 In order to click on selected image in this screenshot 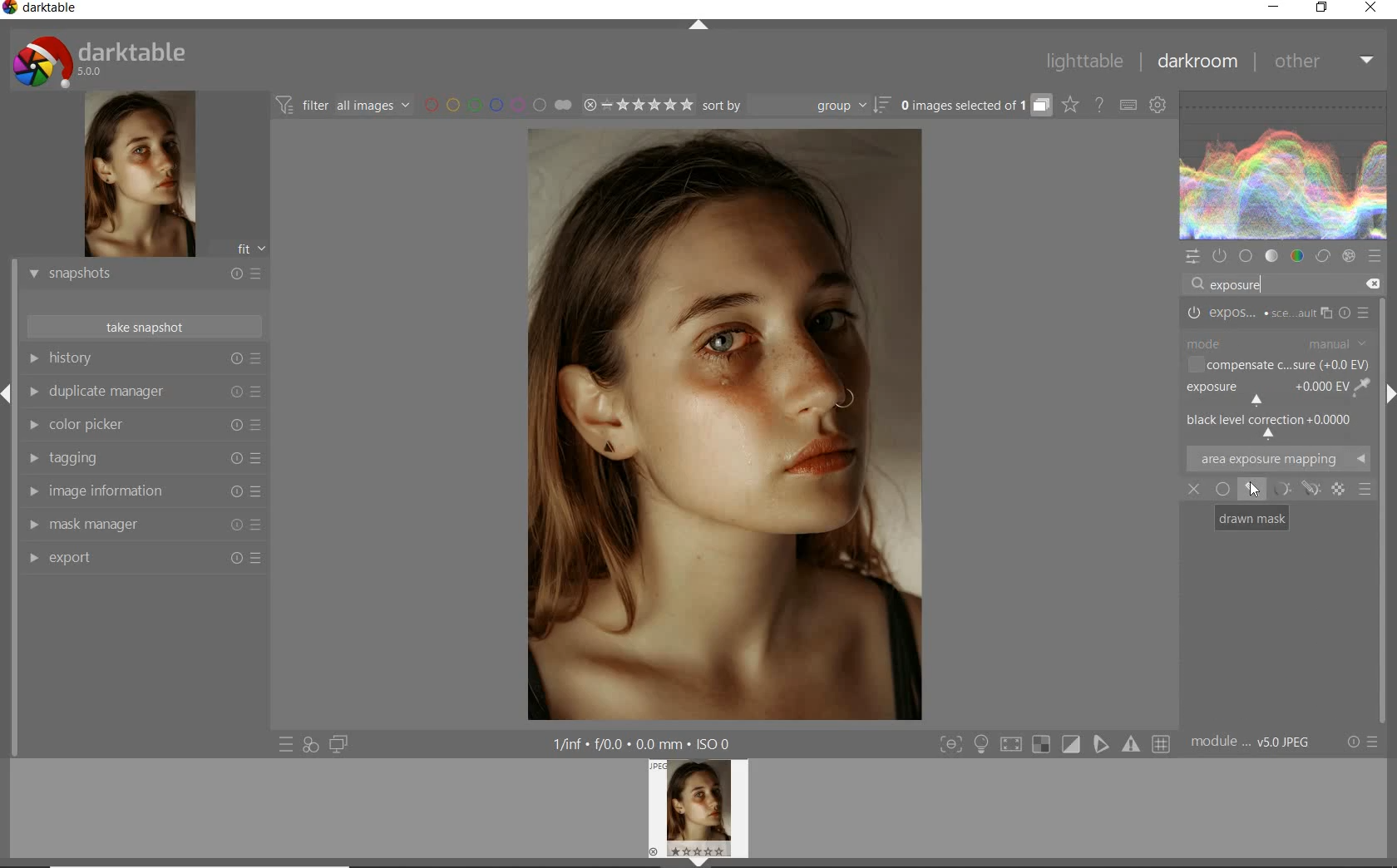, I will do `click(728, 424)`.